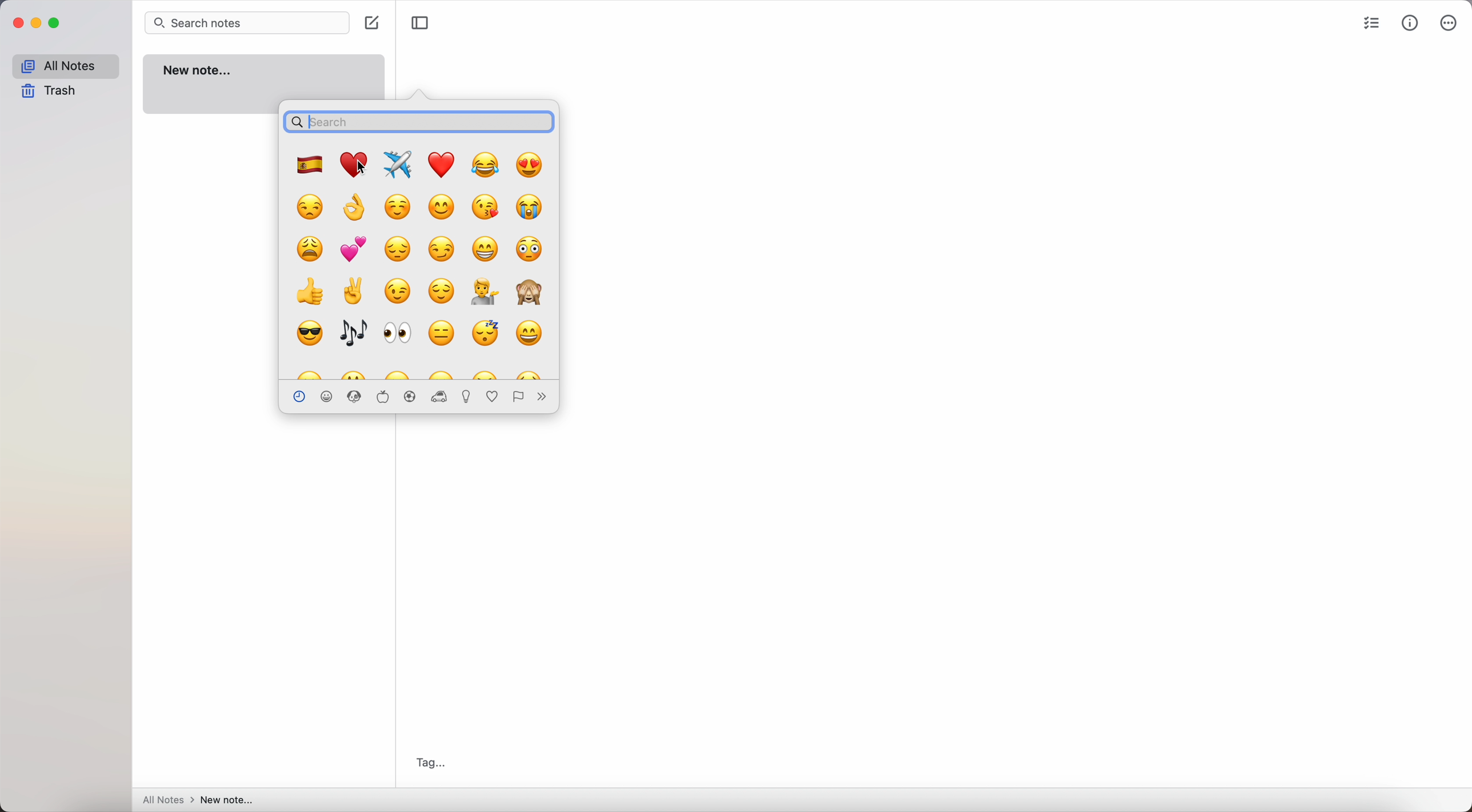  What do you see at coordinates (487, 333) in the screenshot?
I see `emoji` at bounding box center [487, 333].